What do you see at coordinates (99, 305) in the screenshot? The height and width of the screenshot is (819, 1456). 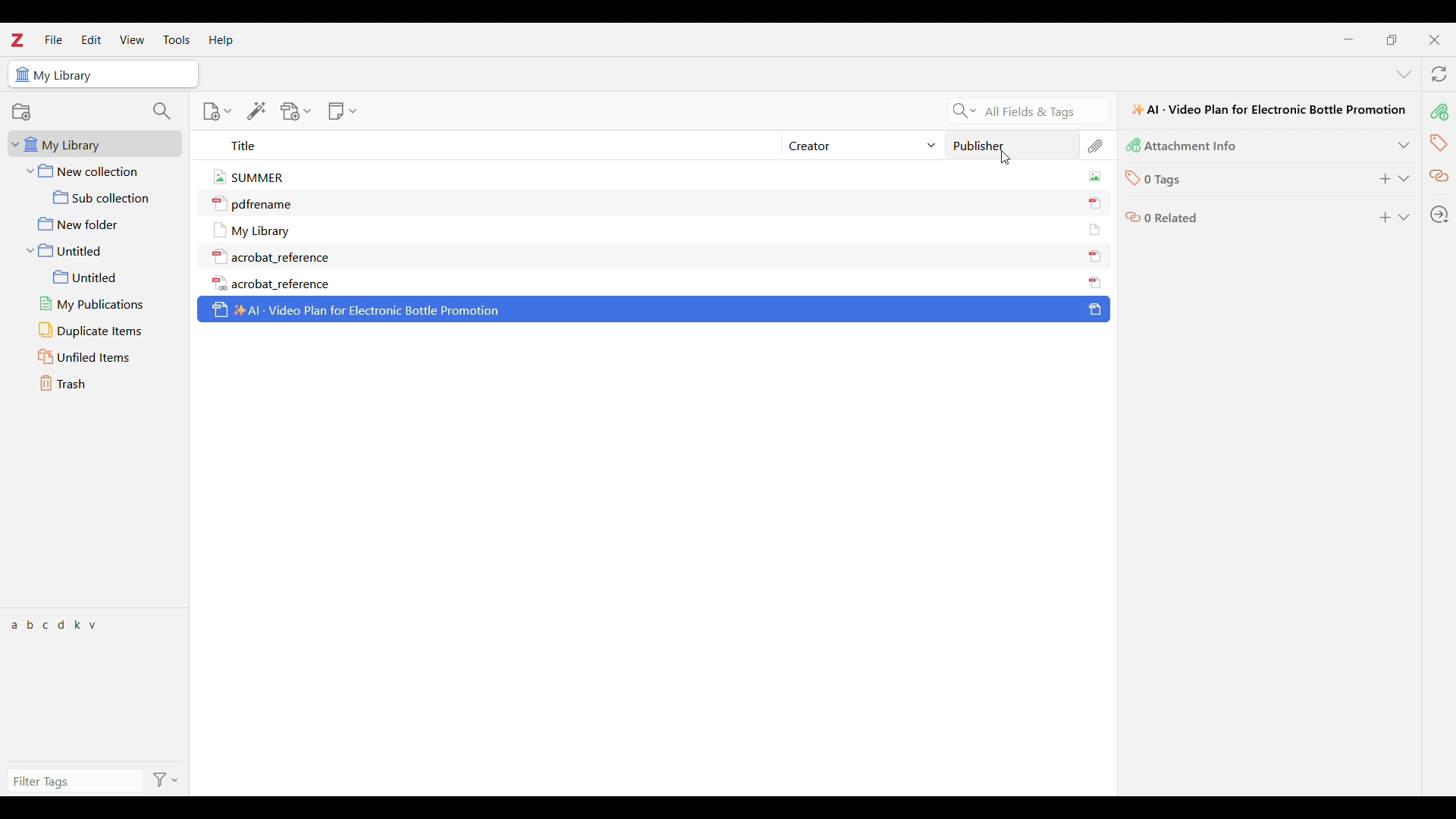 I see `My publications` at bounding box center [99, 305].